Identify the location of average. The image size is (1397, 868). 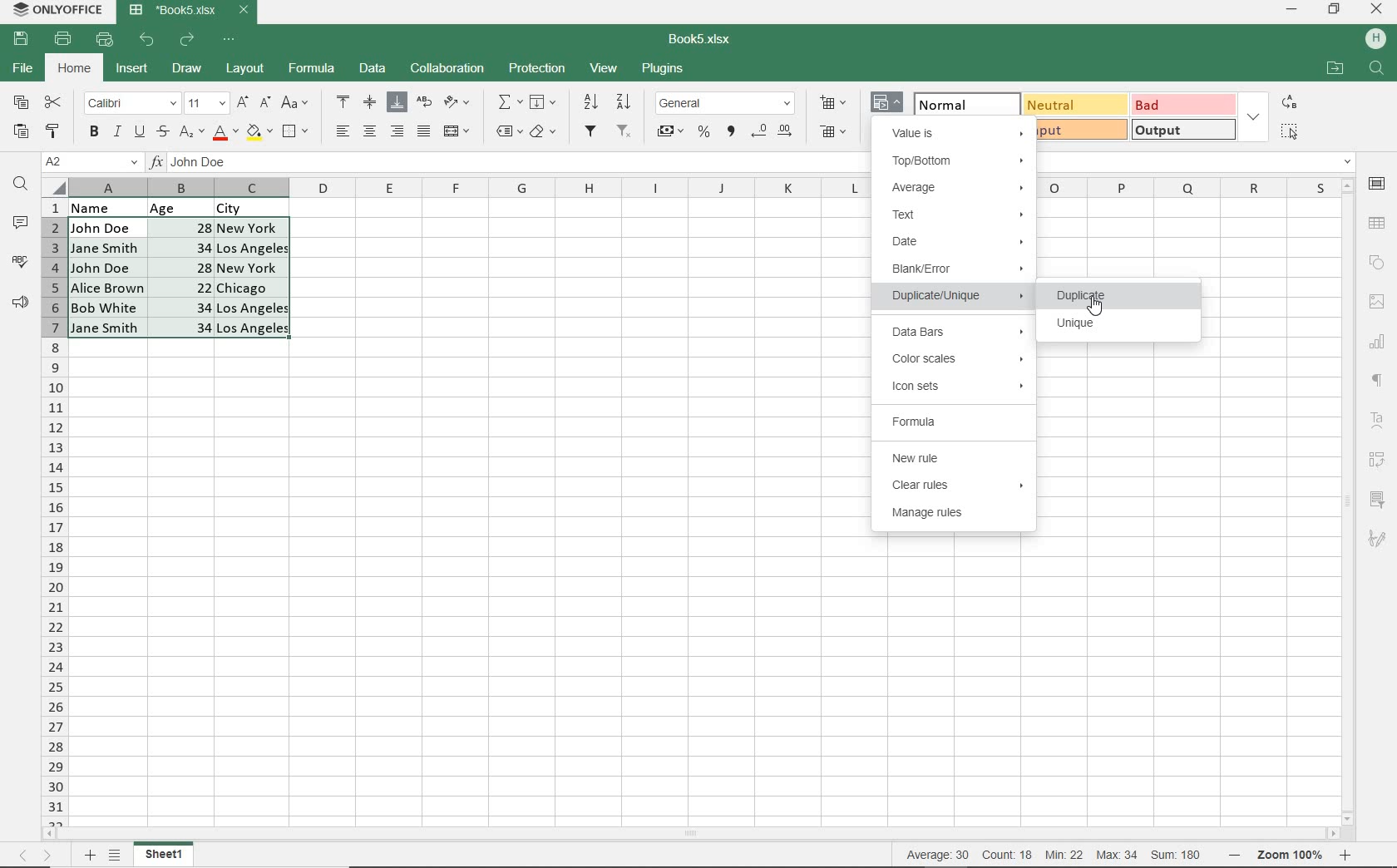
(940, 855).